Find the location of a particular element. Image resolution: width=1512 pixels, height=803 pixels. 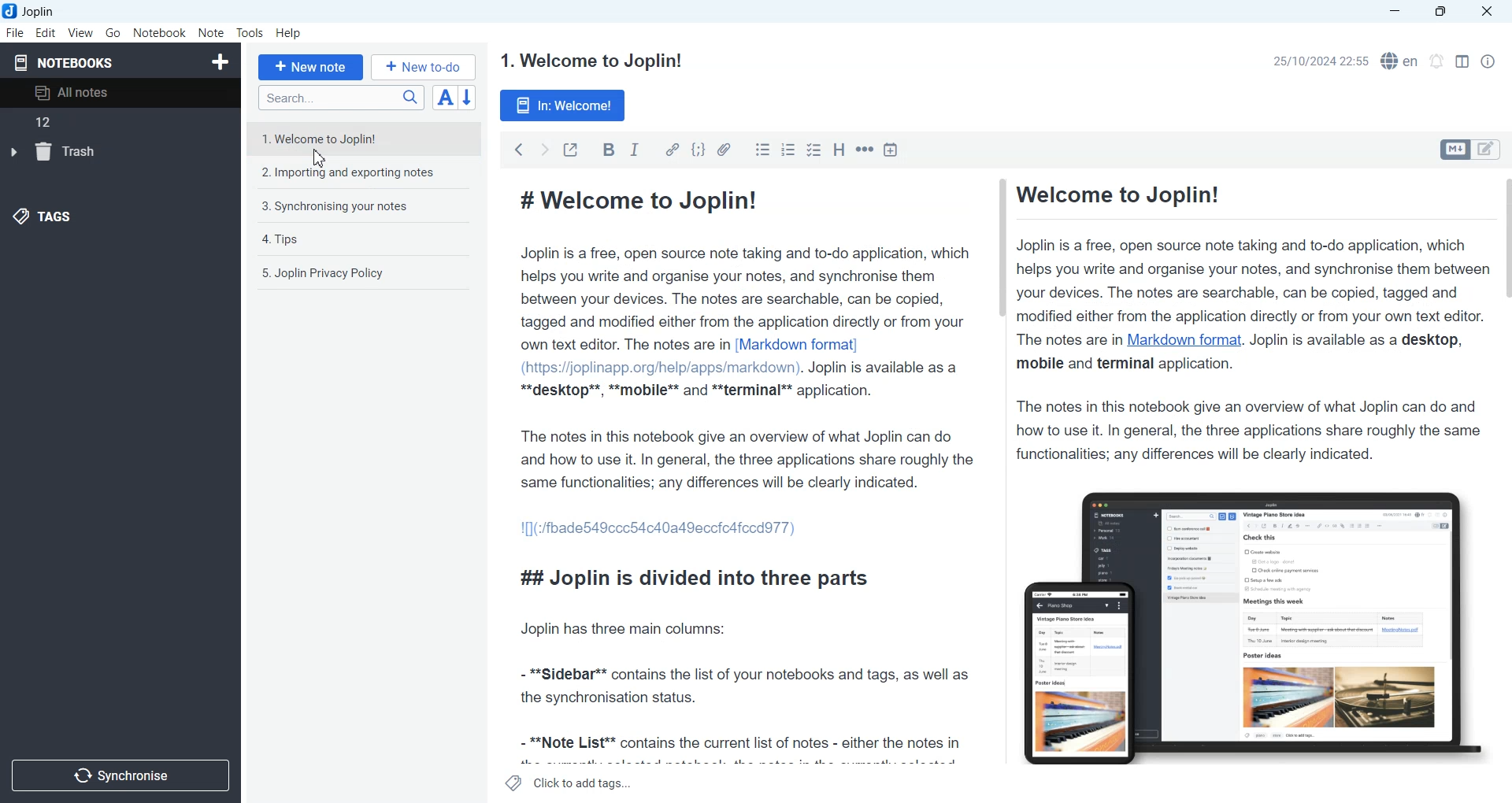

Minimize is located at coordinates (1395, 12).